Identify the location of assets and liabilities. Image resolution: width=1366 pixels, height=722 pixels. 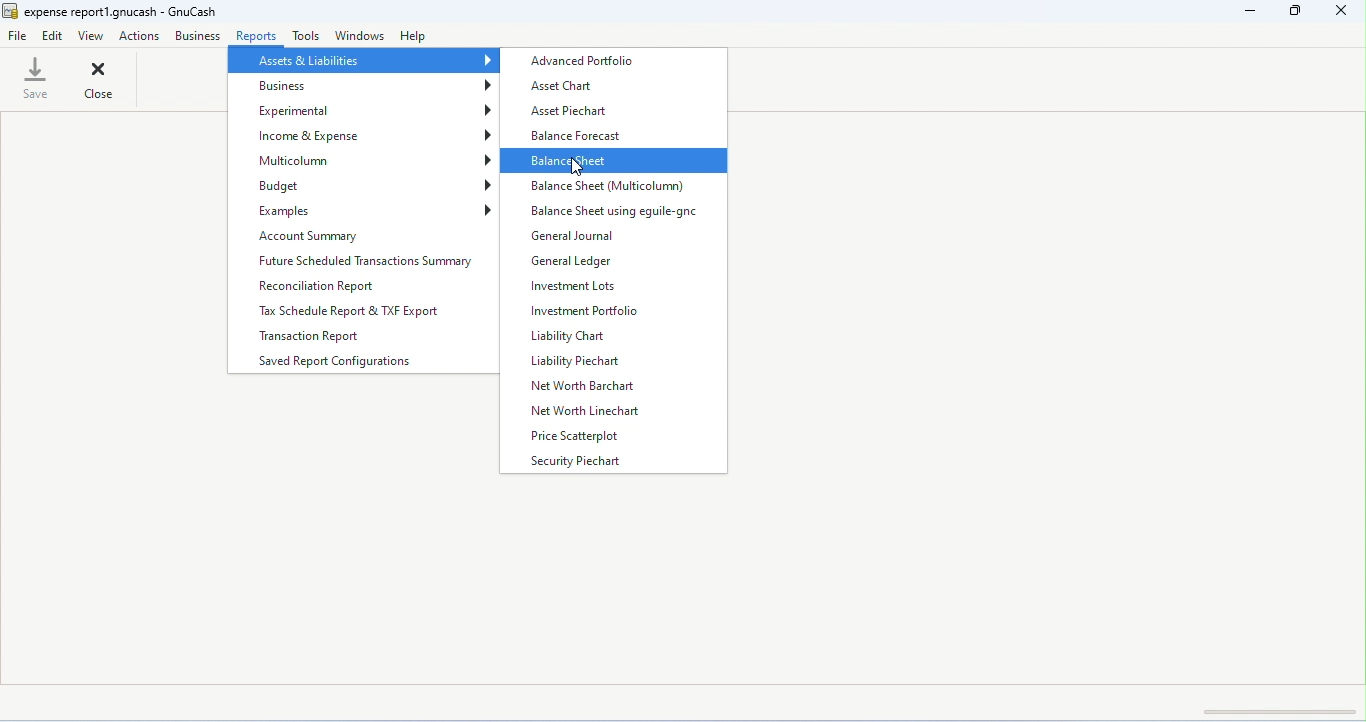
(365, 61).